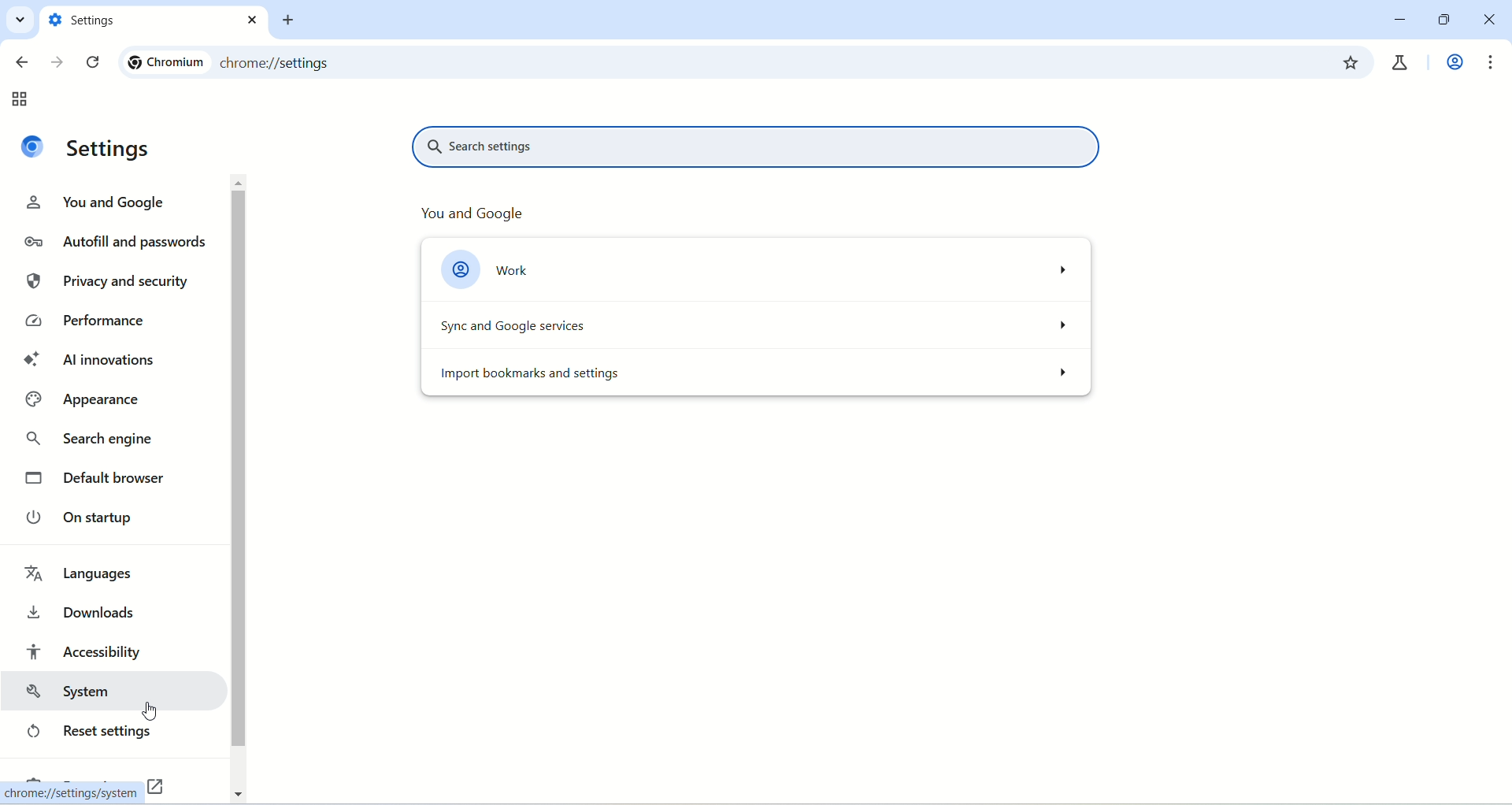 The image size is (1512, 805). I want to click on languages, so click(81, 574).